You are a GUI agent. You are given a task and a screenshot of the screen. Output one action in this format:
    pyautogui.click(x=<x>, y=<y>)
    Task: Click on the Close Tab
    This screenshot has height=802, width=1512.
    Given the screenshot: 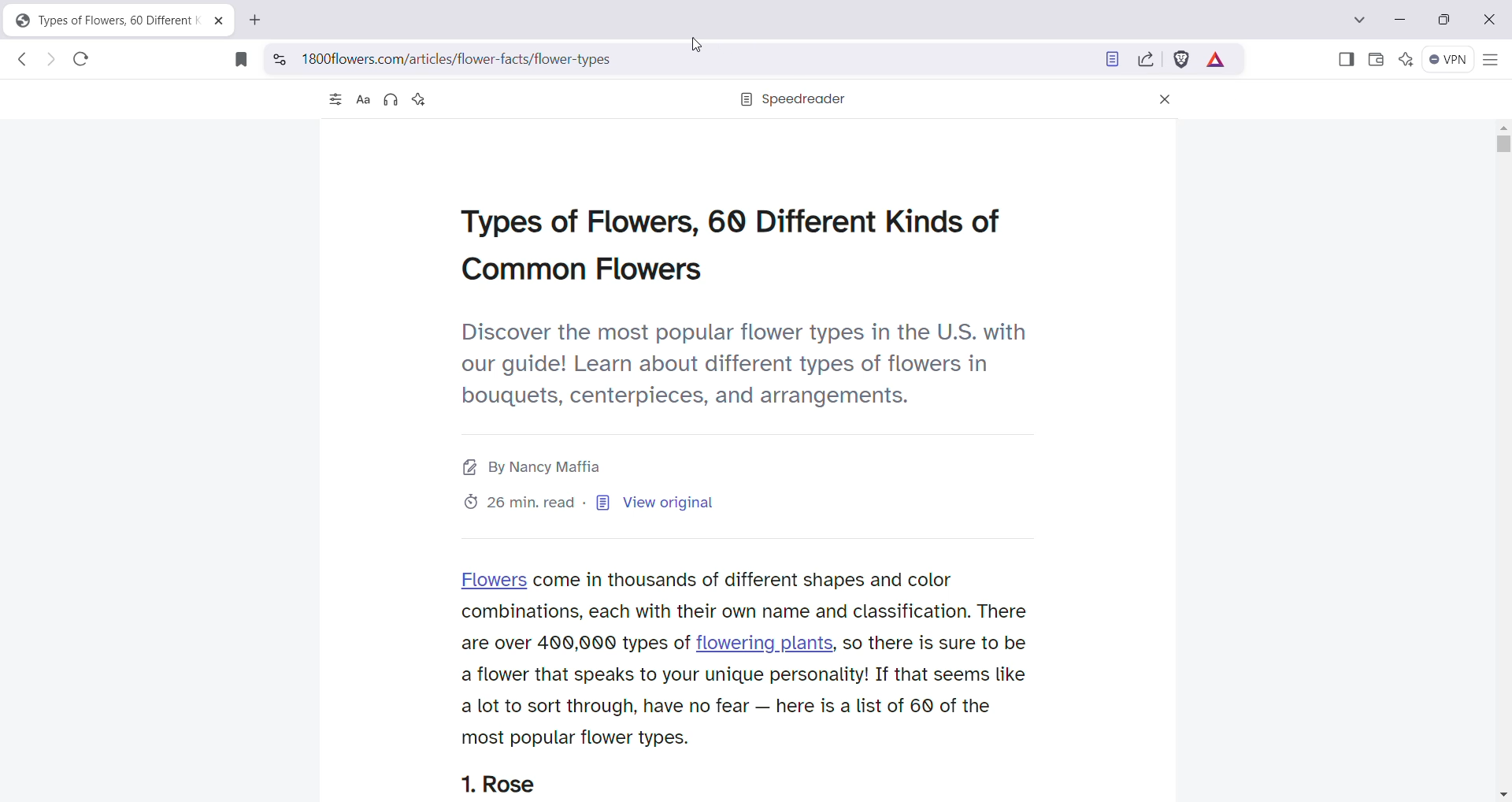 What is the action you would take?
    pyautogui.click(x=219, y=22)
    